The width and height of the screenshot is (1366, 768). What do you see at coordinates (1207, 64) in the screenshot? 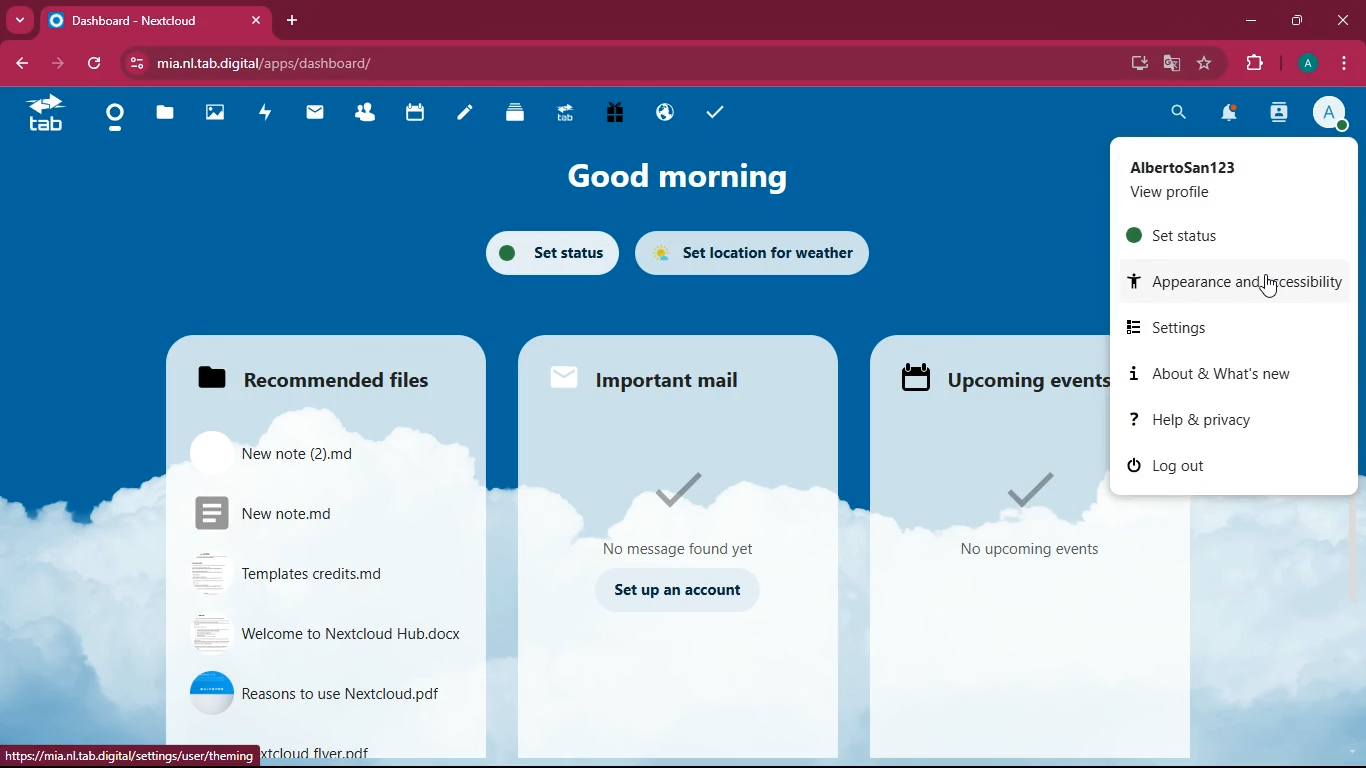
I see `favourite` at bounding box center [1207, 64].